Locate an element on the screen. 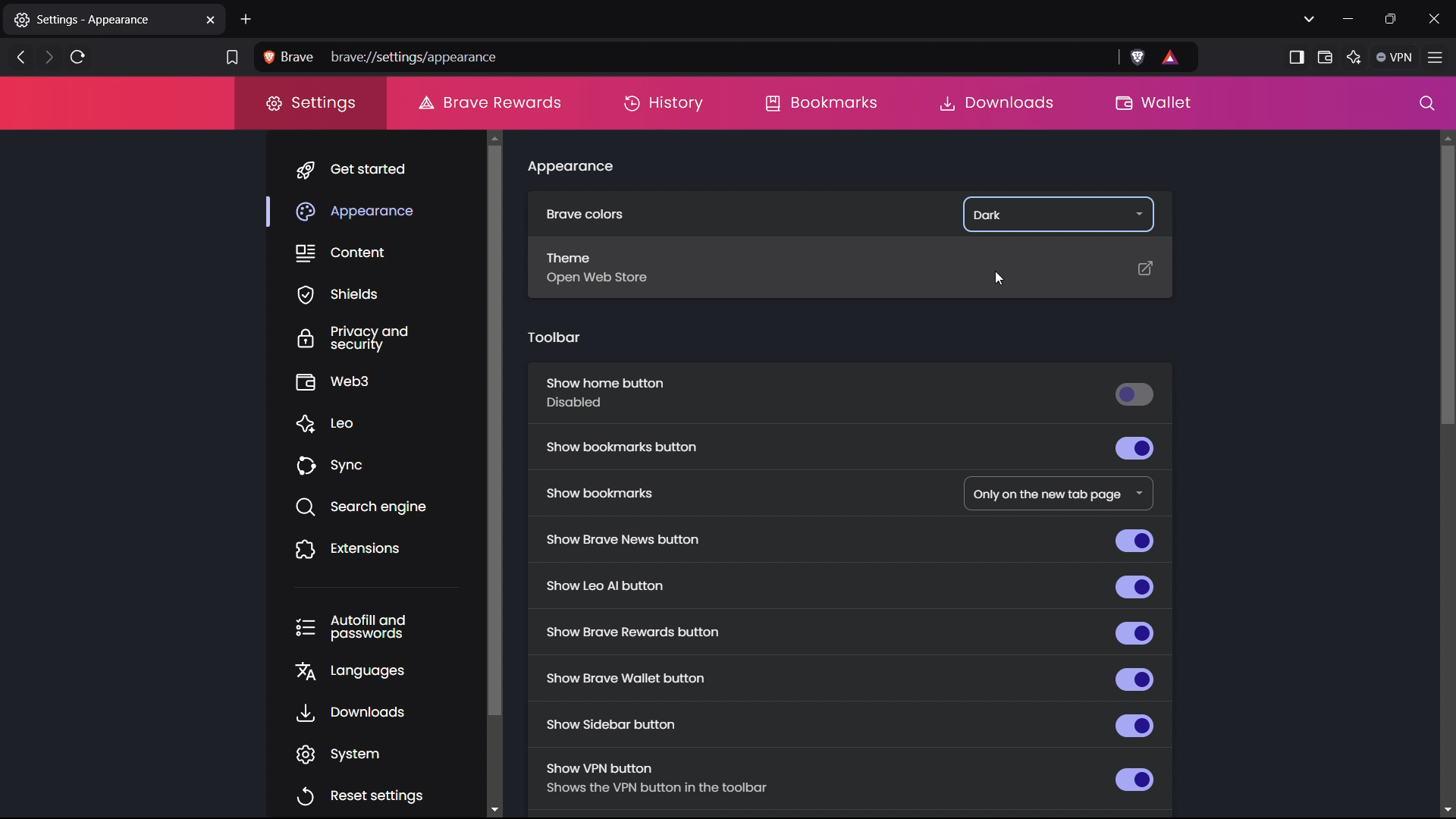 This screenshot has height=819, width=1456. minimize is located at coordinates (1348, 18).